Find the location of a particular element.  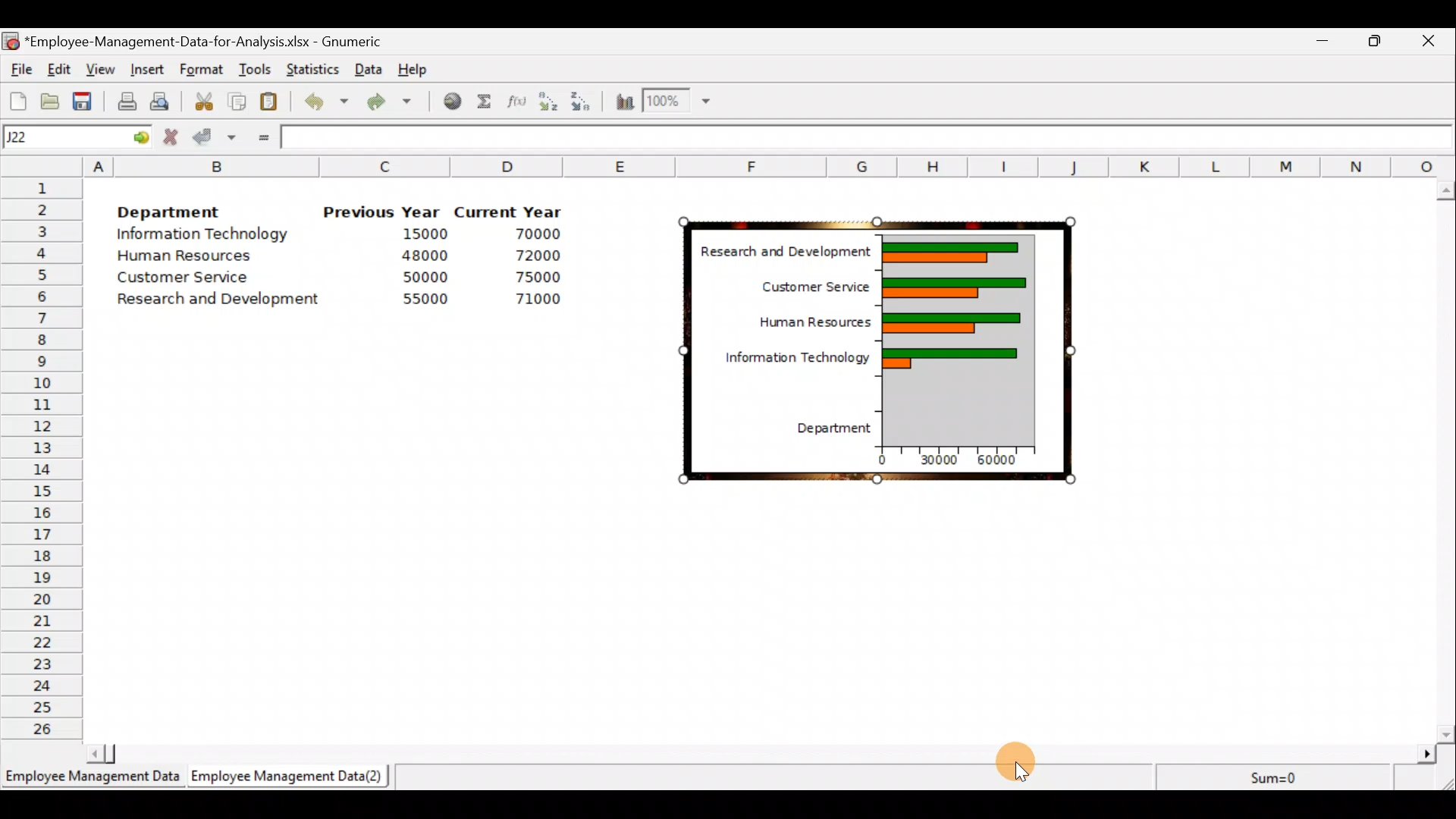

Tools is located at coordinates (255, 67).